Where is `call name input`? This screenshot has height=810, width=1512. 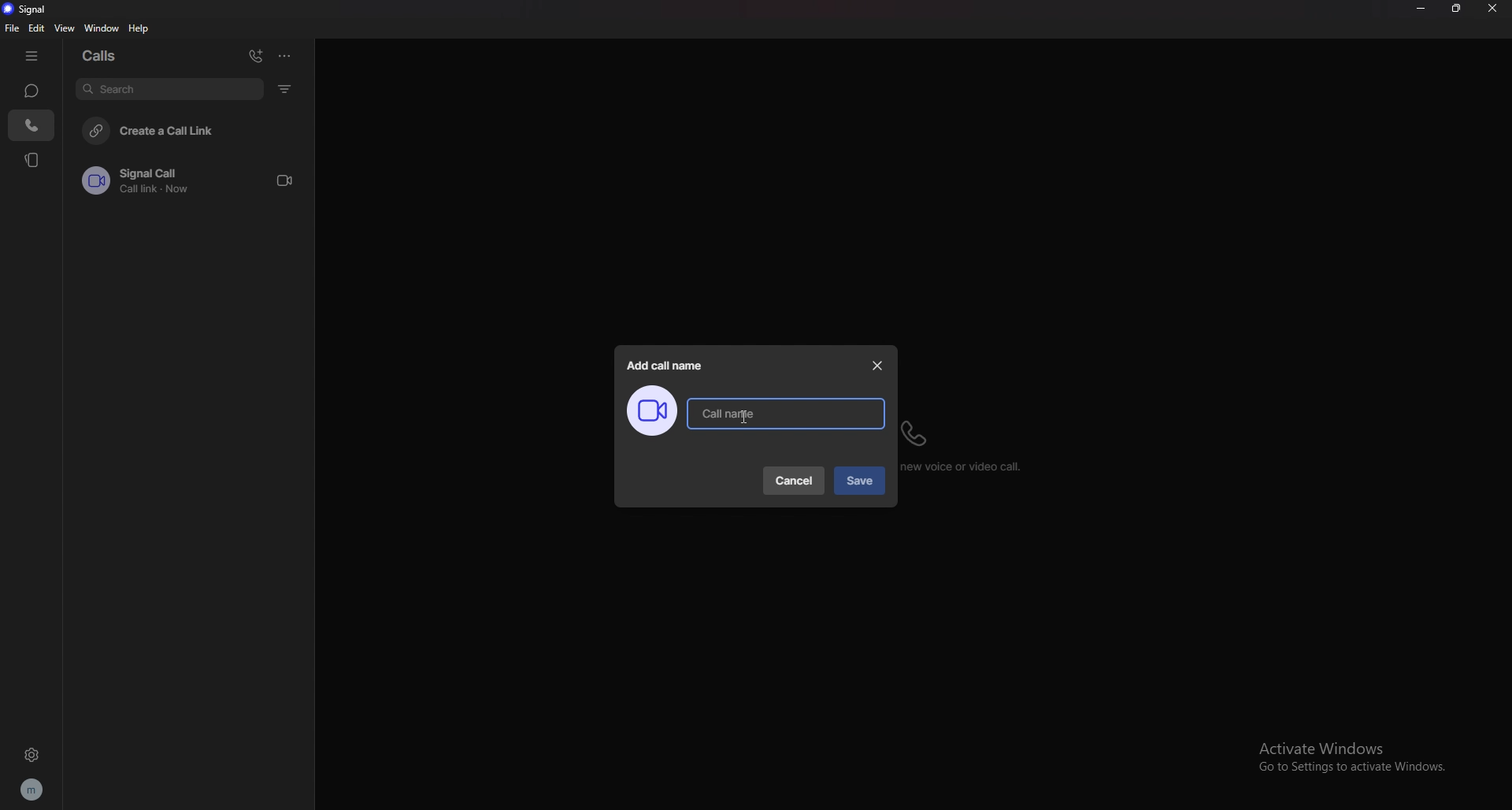 call name input is located at coordinates (788, 413).